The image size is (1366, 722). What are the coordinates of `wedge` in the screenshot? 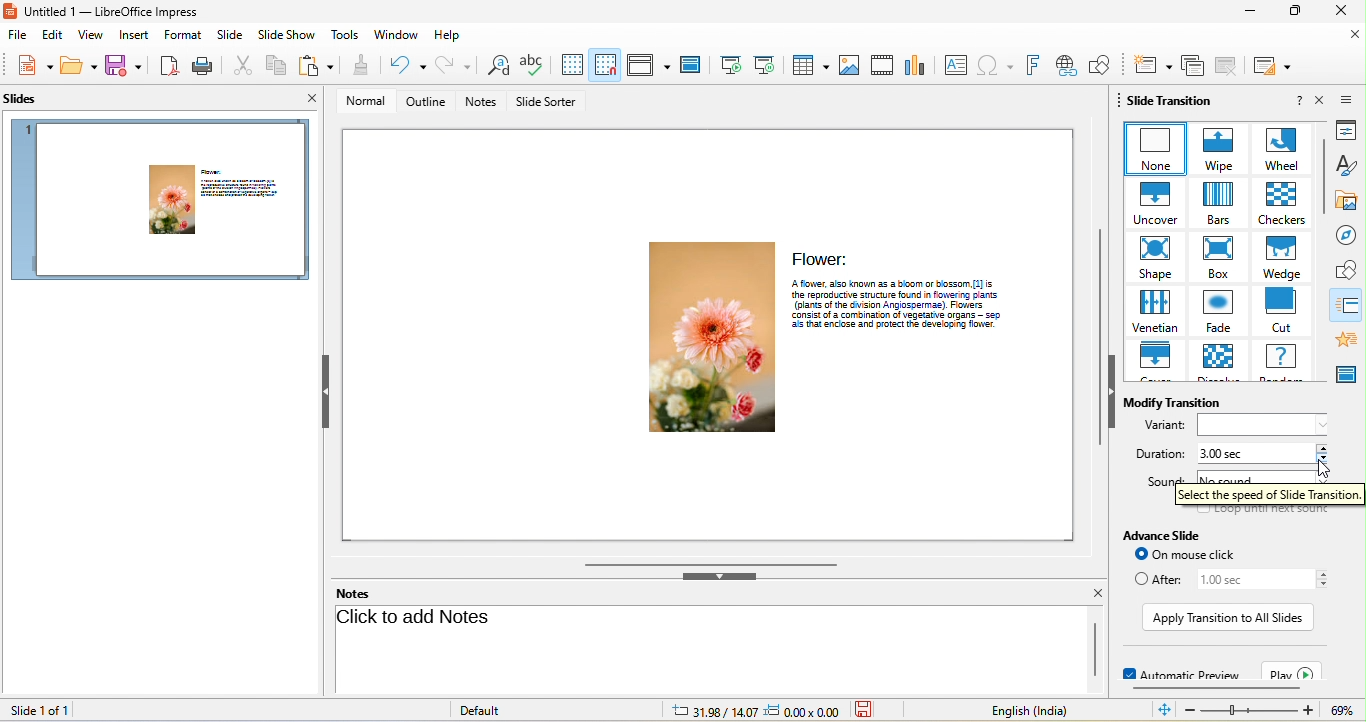 It's located at (1282, 257).